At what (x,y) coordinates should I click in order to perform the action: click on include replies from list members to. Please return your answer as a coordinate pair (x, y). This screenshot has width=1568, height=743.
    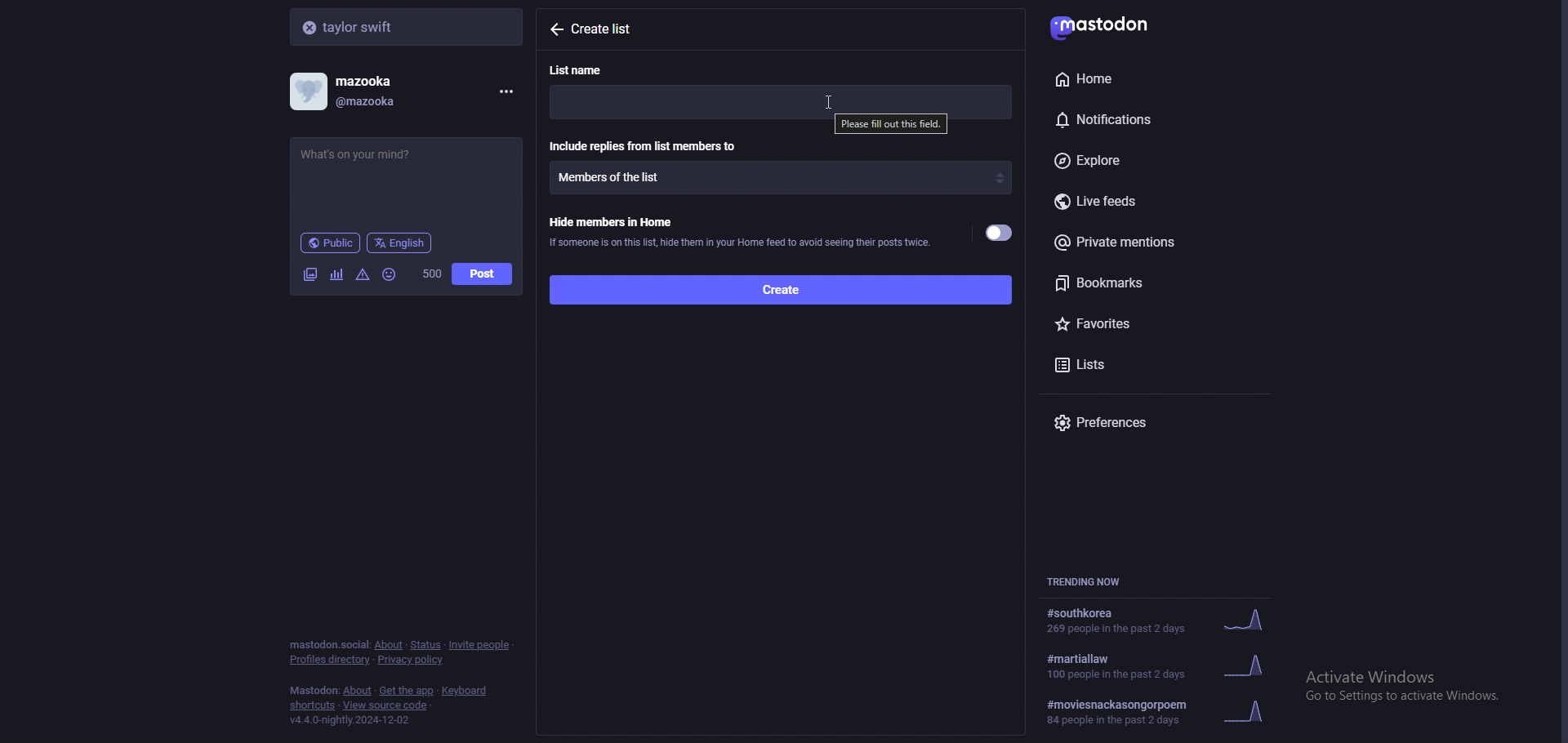
    Looking at the image, I should click on (646, 145).